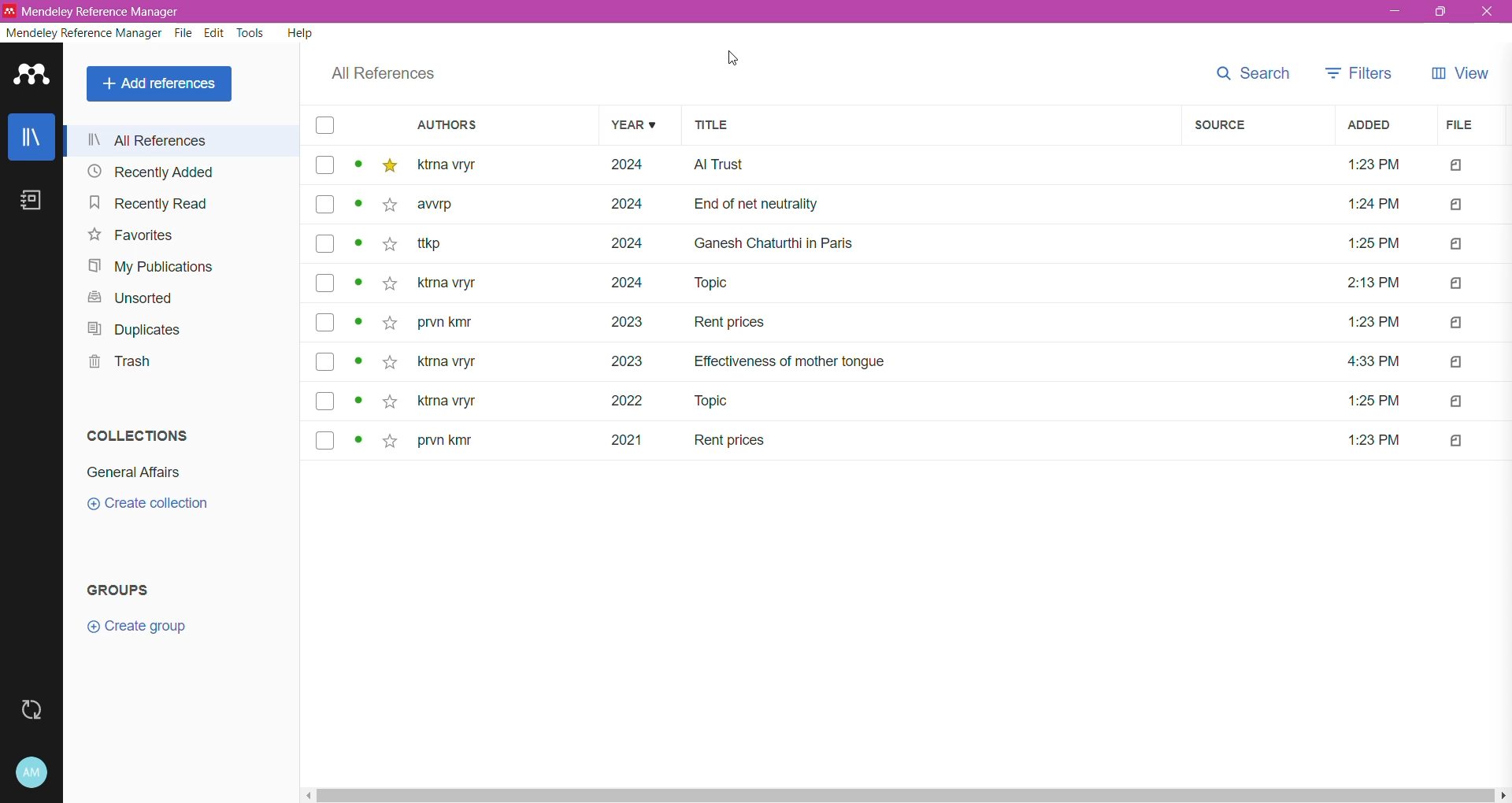 The height and width of the screenshot is (803, 1512). Describe the element at coordinates (1373, 322) in the screenshot. I see `1:23 PM` at that location.